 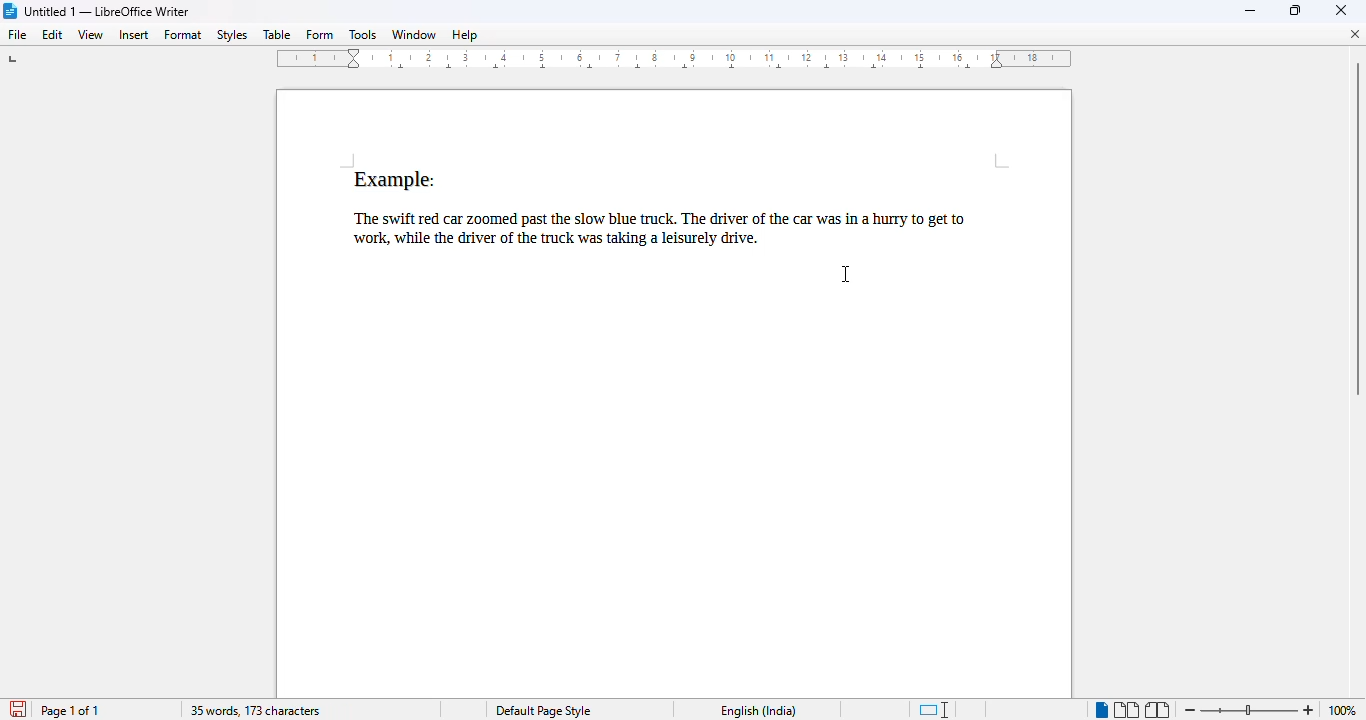 What do you see at coordinates (109, 11) in the screenshot?
I see `Untitled 1 -- LibreOffice Writer` at bounding box center [109, 11].